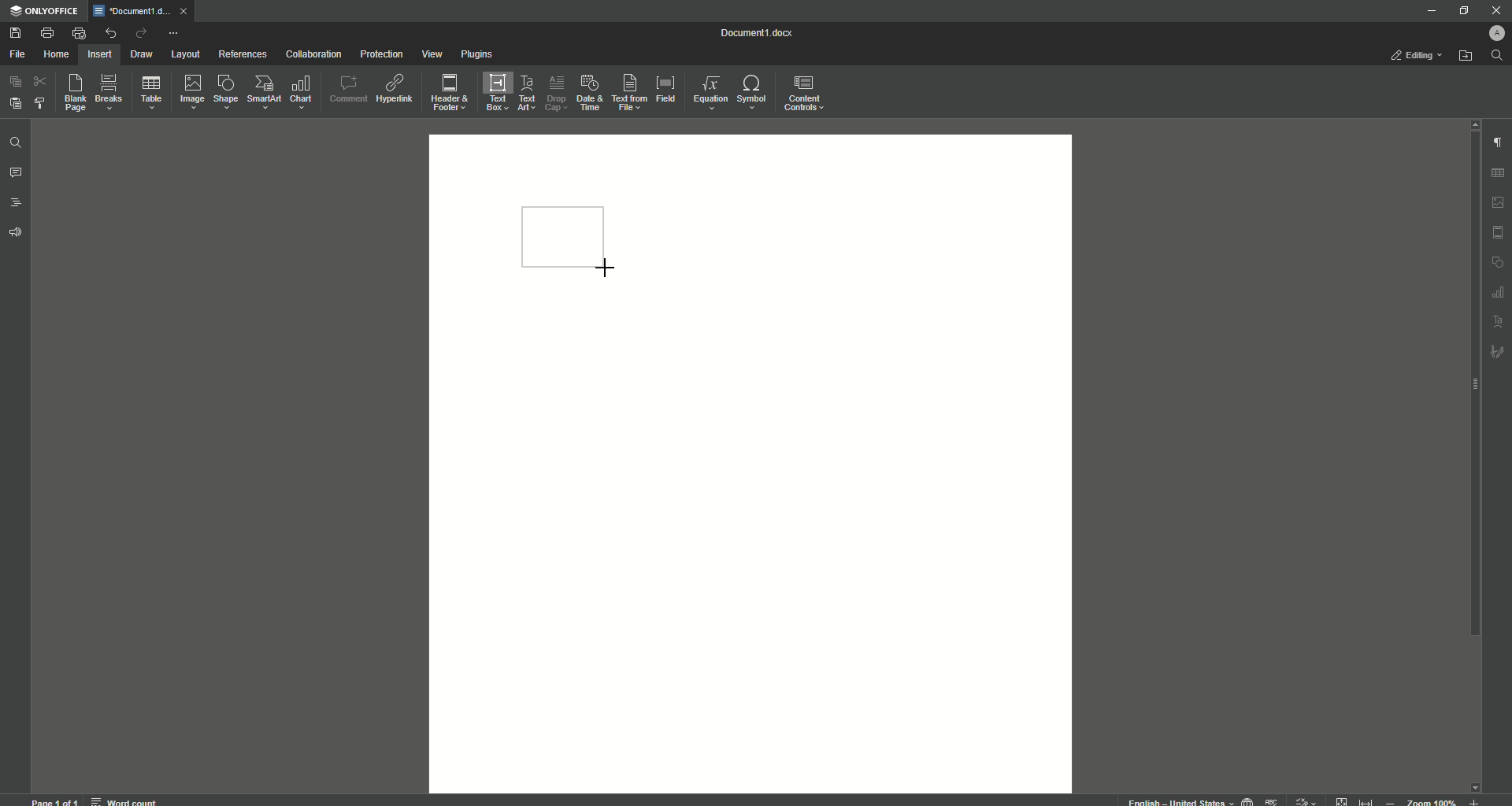 This screenshot has height=806, width=1512. What do you see at coordinates (41, 102) in the screenshot?
I see `Choose Styles` at bounding box center [41, 102].